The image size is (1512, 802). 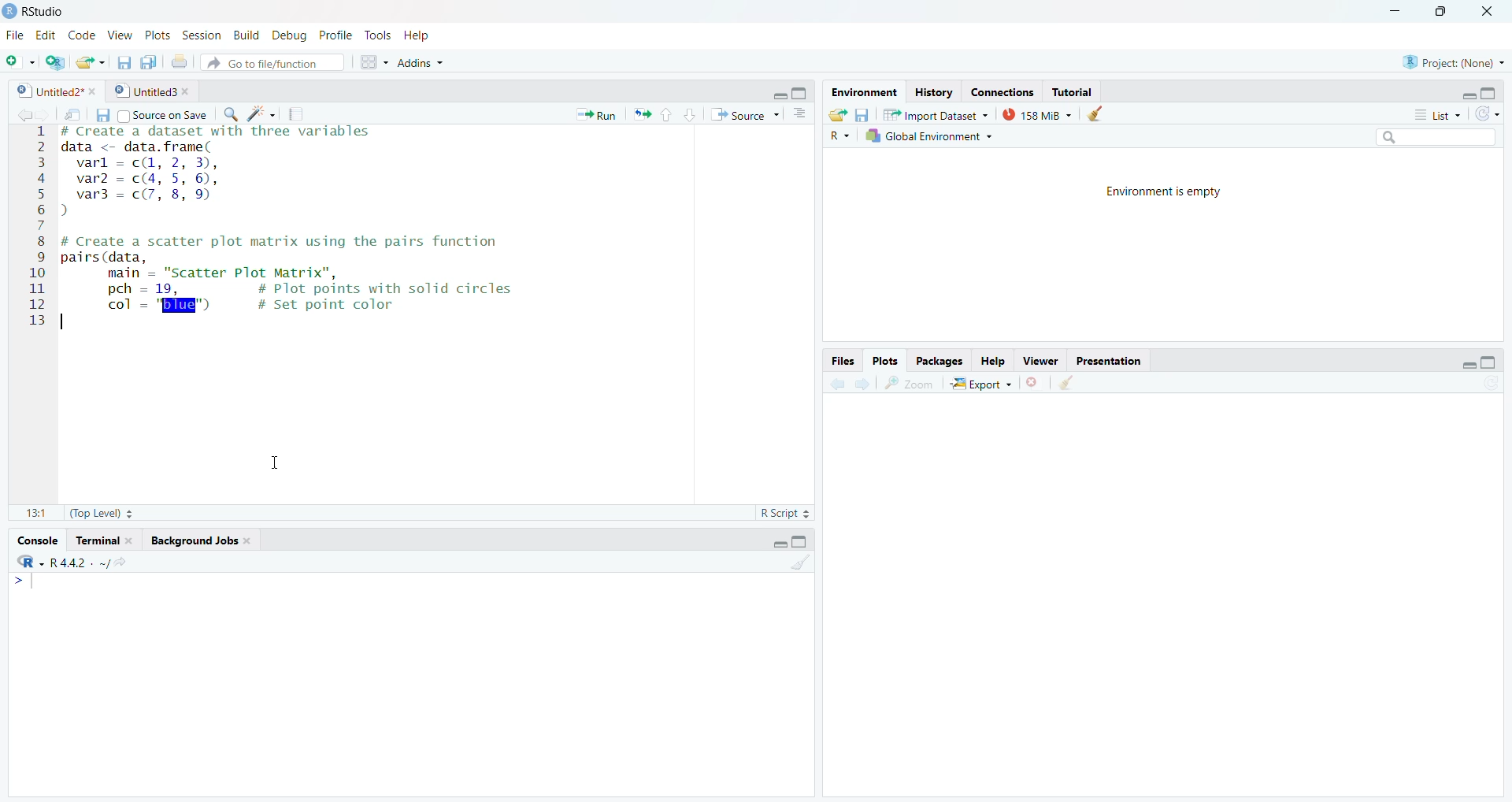 I want to click on Console, so click(x=41, y=537).